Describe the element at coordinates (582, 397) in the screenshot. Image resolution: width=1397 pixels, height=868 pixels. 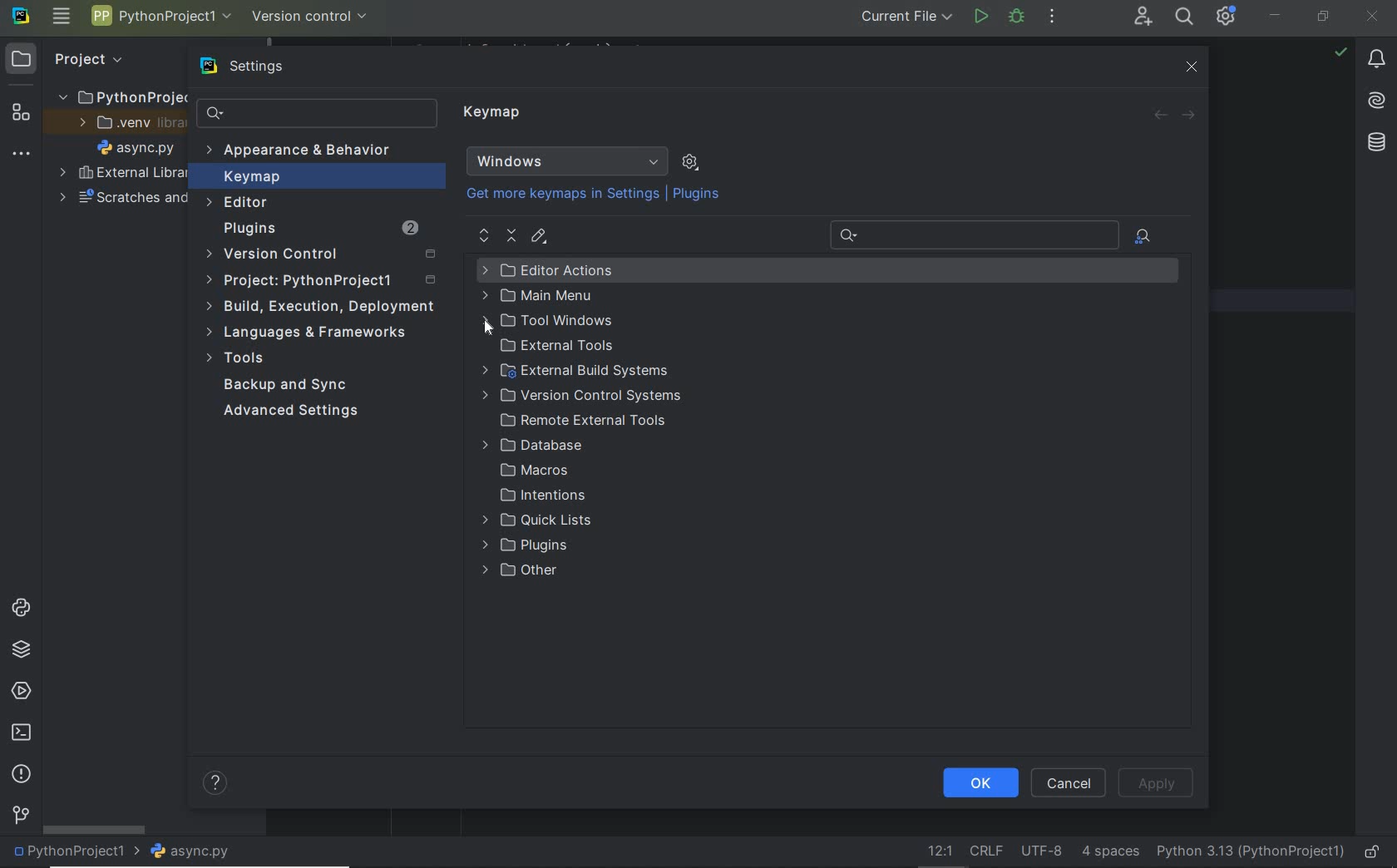
I see `Version control systems` at that location.